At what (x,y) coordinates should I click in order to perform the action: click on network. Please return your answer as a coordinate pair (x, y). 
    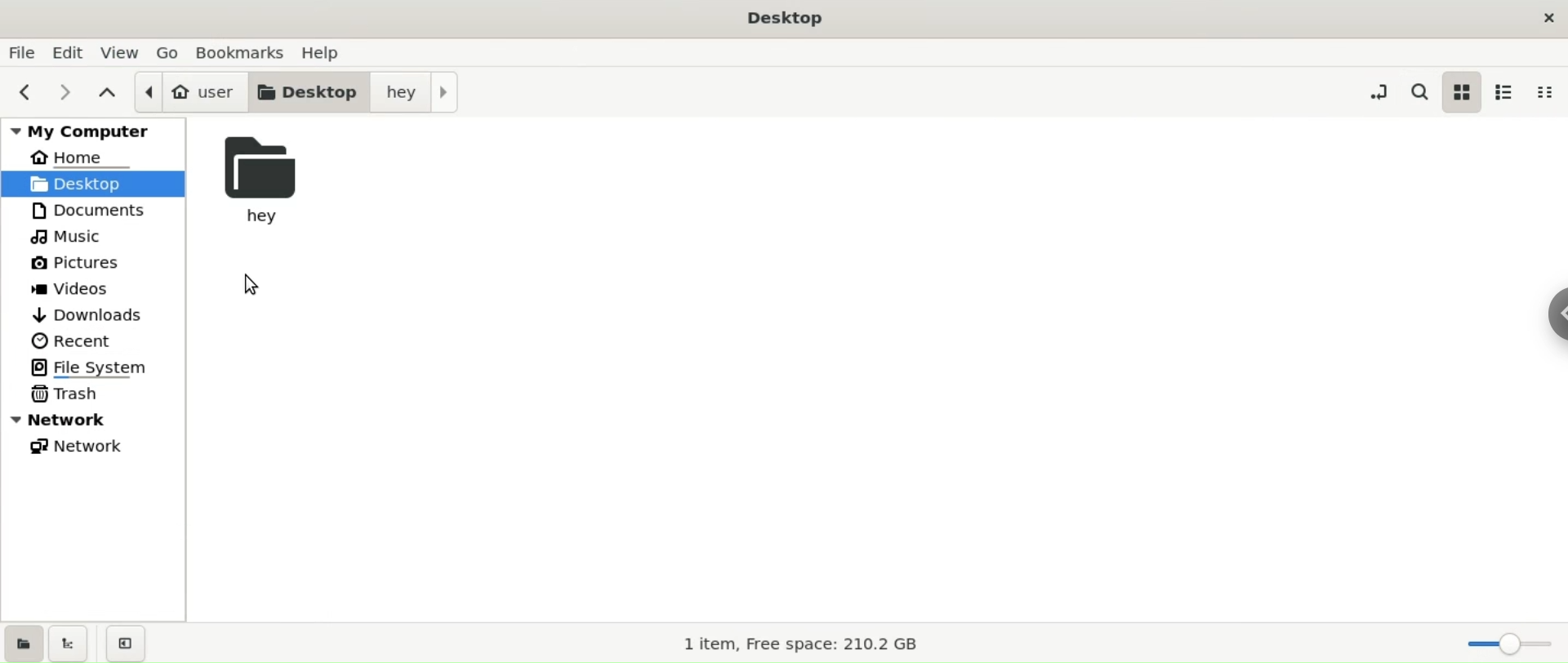
    Looking at the image, I should click on (103, 448).